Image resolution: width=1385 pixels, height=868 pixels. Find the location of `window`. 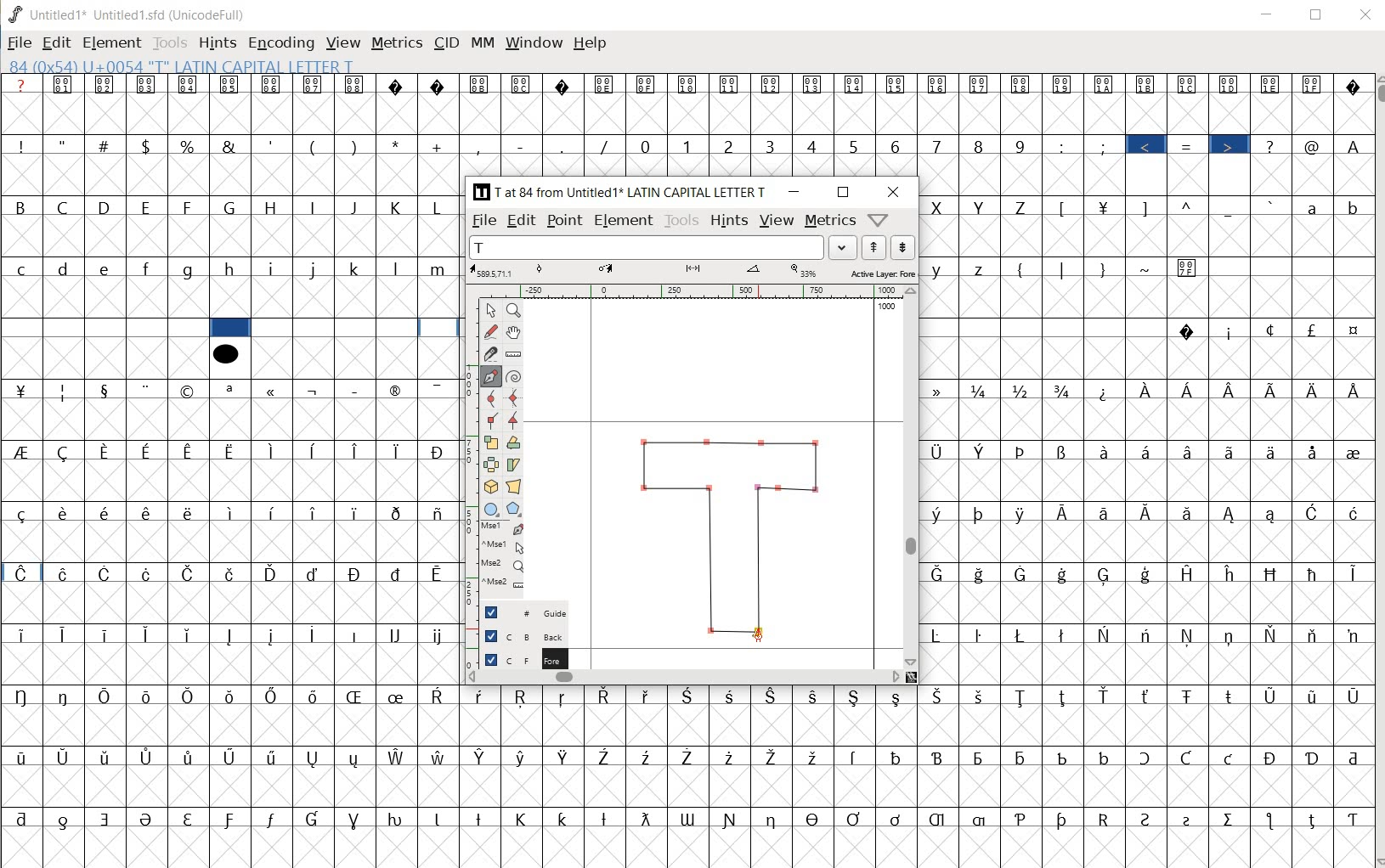

window is located at coordinates (533, 44).